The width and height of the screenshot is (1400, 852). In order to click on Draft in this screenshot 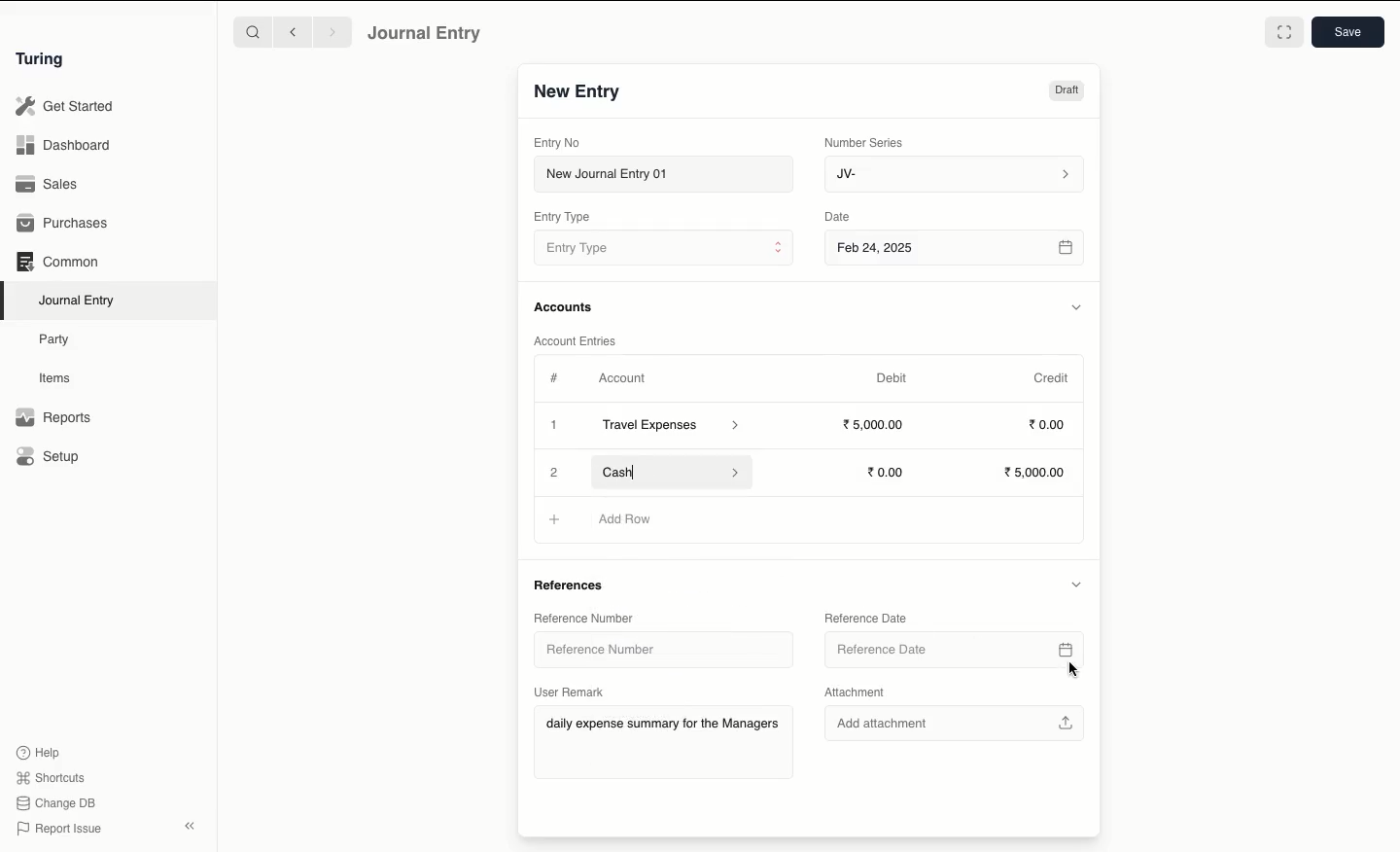, I will do `click(1067, 90)`.